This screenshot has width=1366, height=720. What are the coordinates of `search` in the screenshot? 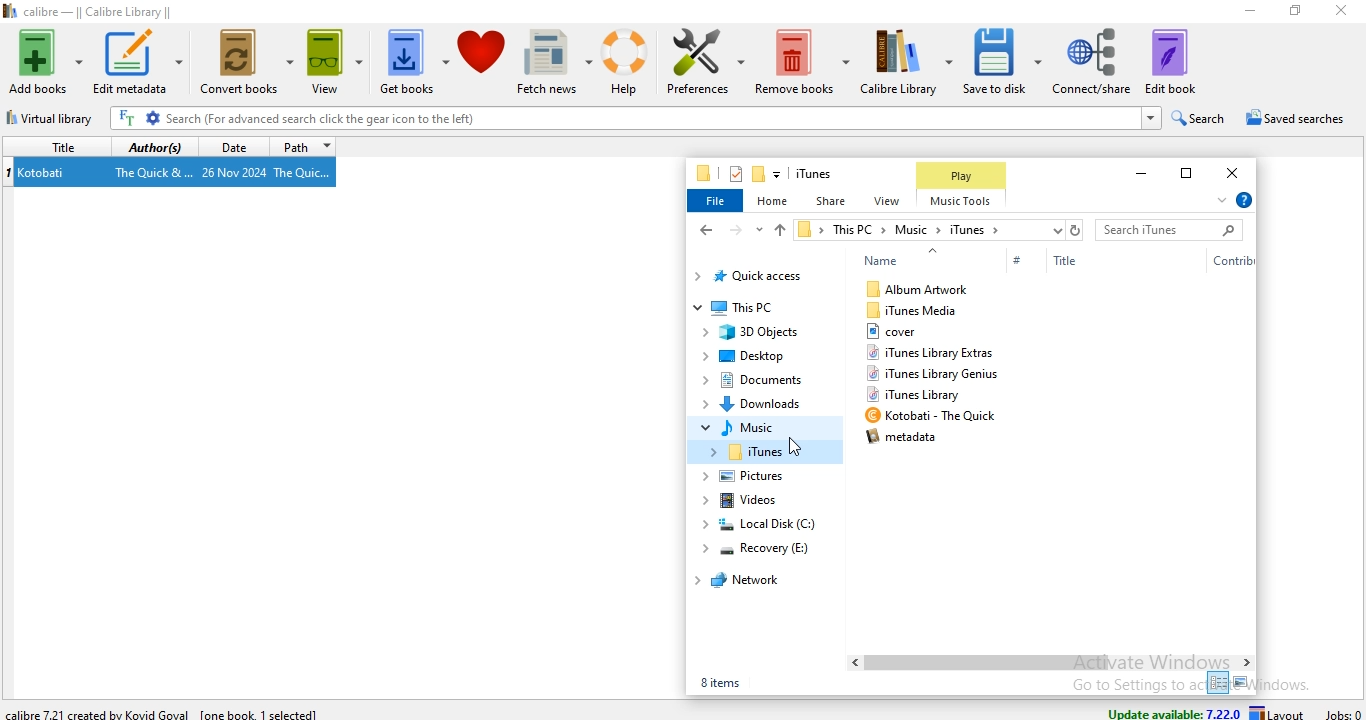 It's located at (1199, 116).